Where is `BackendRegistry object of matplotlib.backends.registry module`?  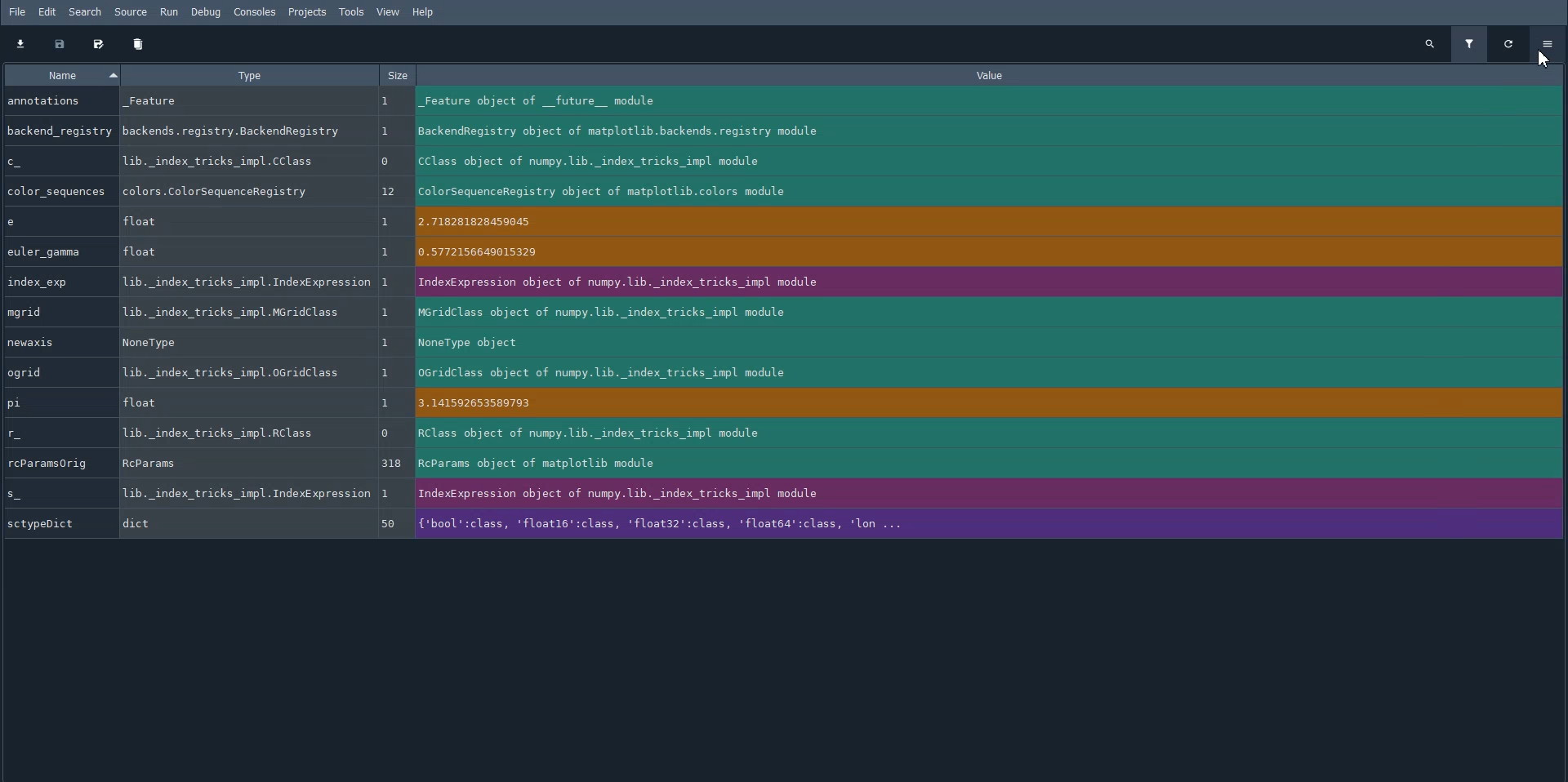
BackendRegistry object of matplotlib.backends.registry module is located at coordinates (984, 131).